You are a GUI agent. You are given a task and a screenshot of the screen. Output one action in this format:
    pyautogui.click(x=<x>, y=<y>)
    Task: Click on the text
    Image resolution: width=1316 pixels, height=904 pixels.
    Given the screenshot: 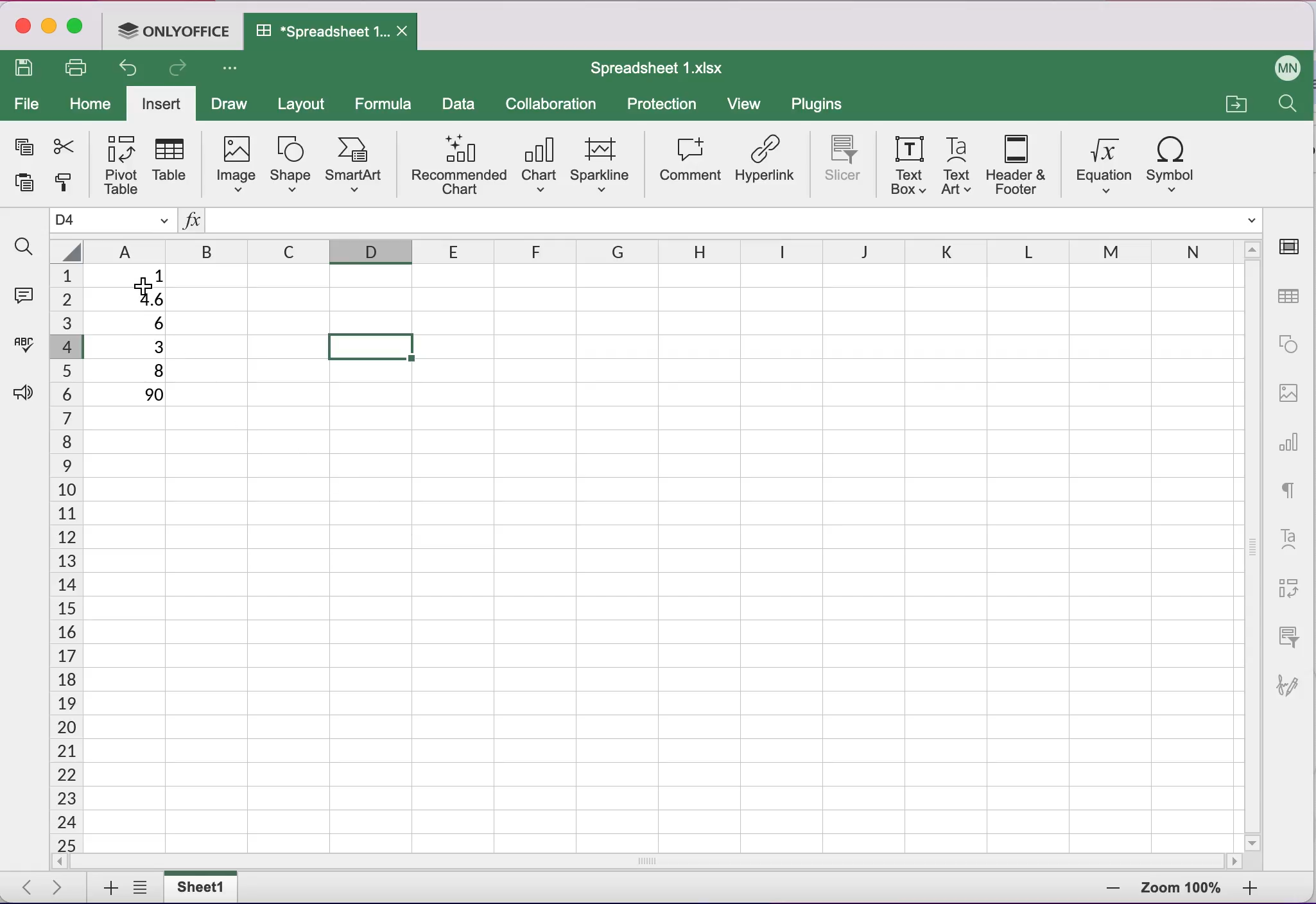 What is the action you would take?
    pyautogui.click(x=1292, y=492)
    